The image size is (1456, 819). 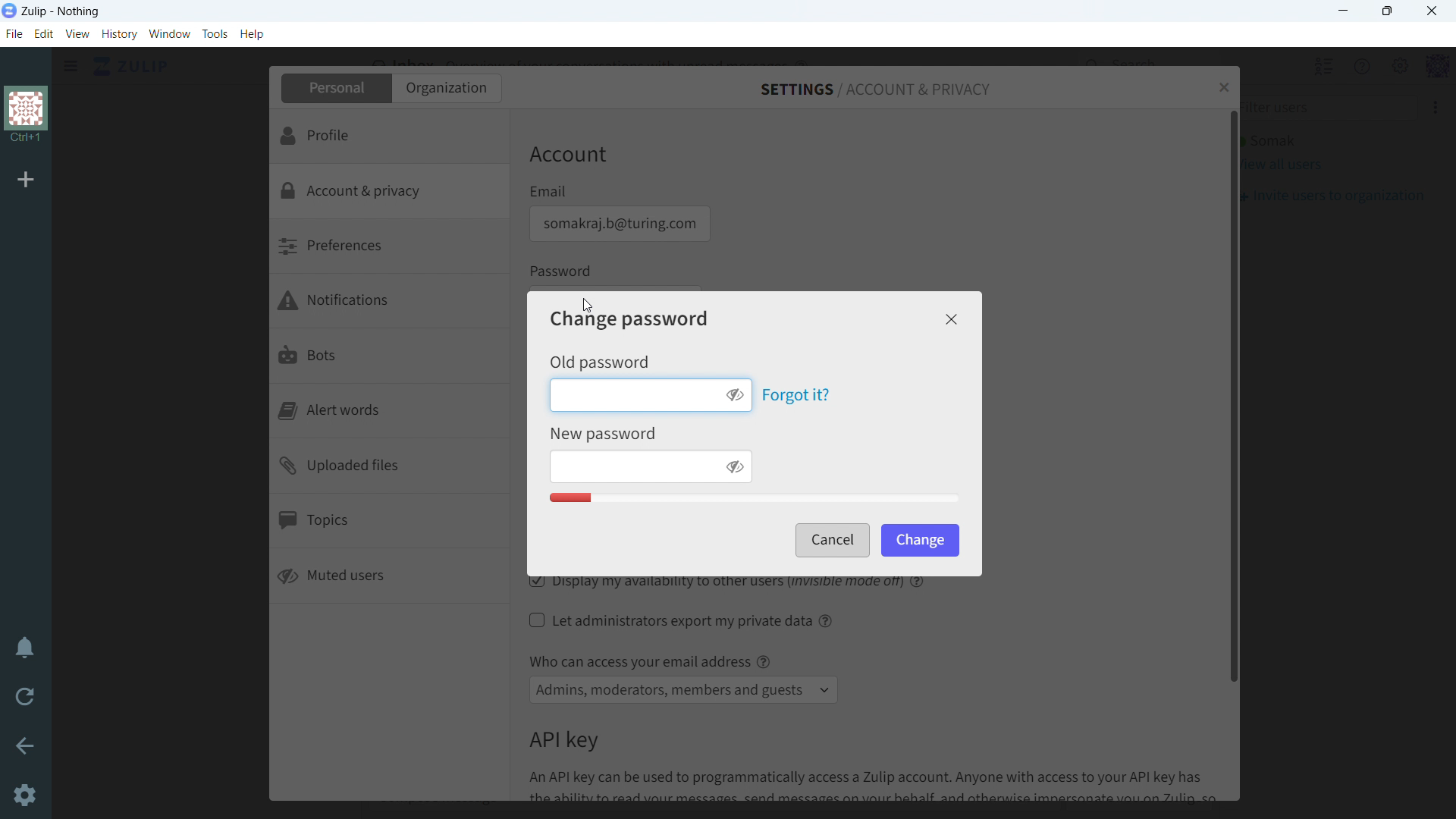 What do you see at coordinates (1345, 11) in the screenshot?
I see `minimize` at bounding box center [1345, 11].